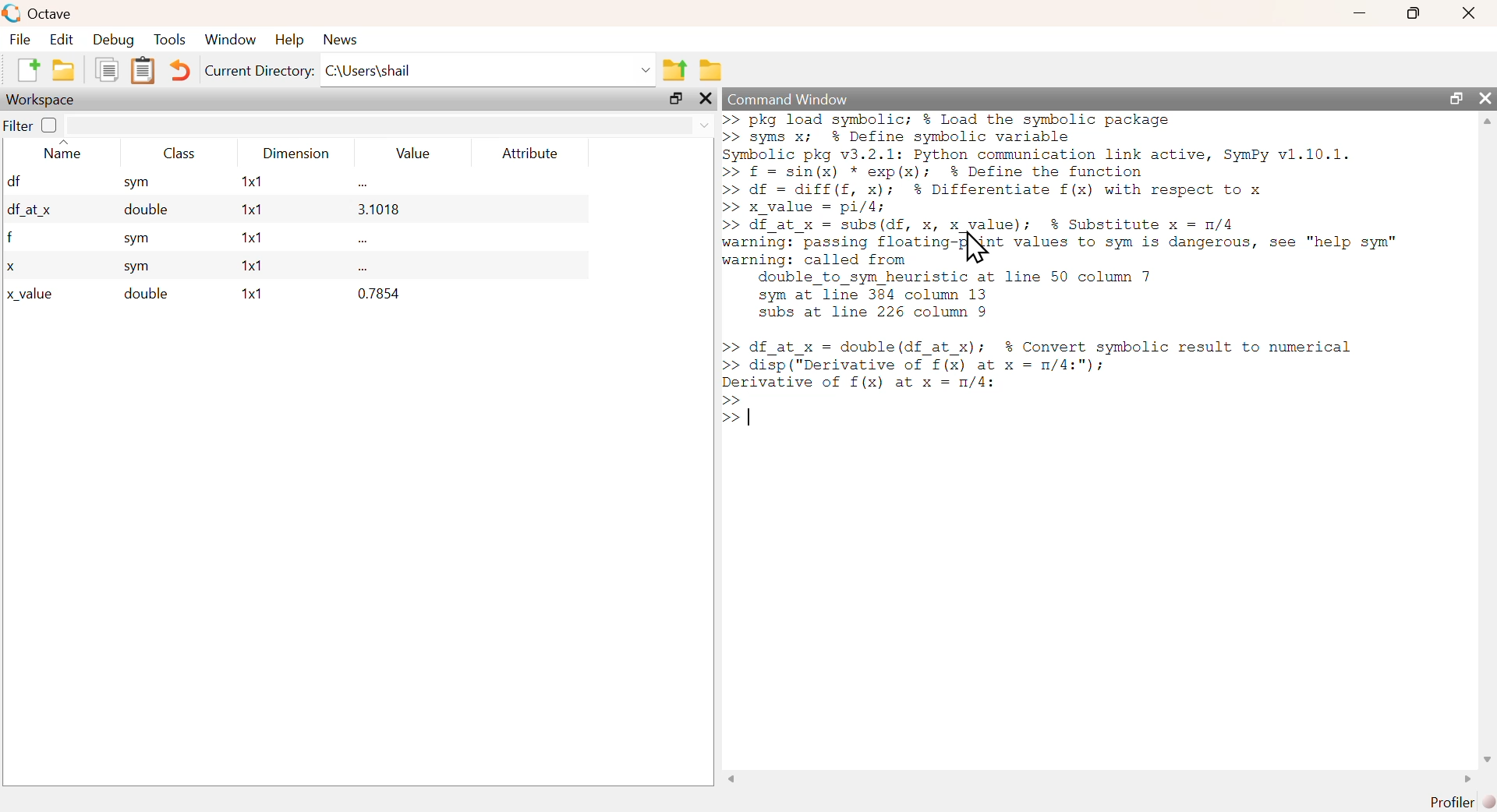  I want to click on >> pkg load symbolic; % Load the symbolic package
>> syms x; % Define symbolic variable
Symbolic pkg v3.2.1: Python communication link active, SymPy v1.10.1.
>> f = sin(x) * exp(x); % Define the function
>> df = diff(f, x); % Differentiate f(x) with respect to x
>> x_value = pi/4;
>> df_at_x = subs(df, x, x_value); $% Substitute x = n/4
warning: passing flosting {Not values to sym is dangerous, see "help sym"
warning: called from
double_to_sym heuristic at line 50 column 7
sym at line 384 column 13
subs at line 226 column 9
>> df_at_x = double(df_at_x); $% Convert symbolic result to numerical
>> disp ("Derivative of f(x) at x = m/4:");
ee of f(x) at x = n/4:
>>, so click(1096, 271).